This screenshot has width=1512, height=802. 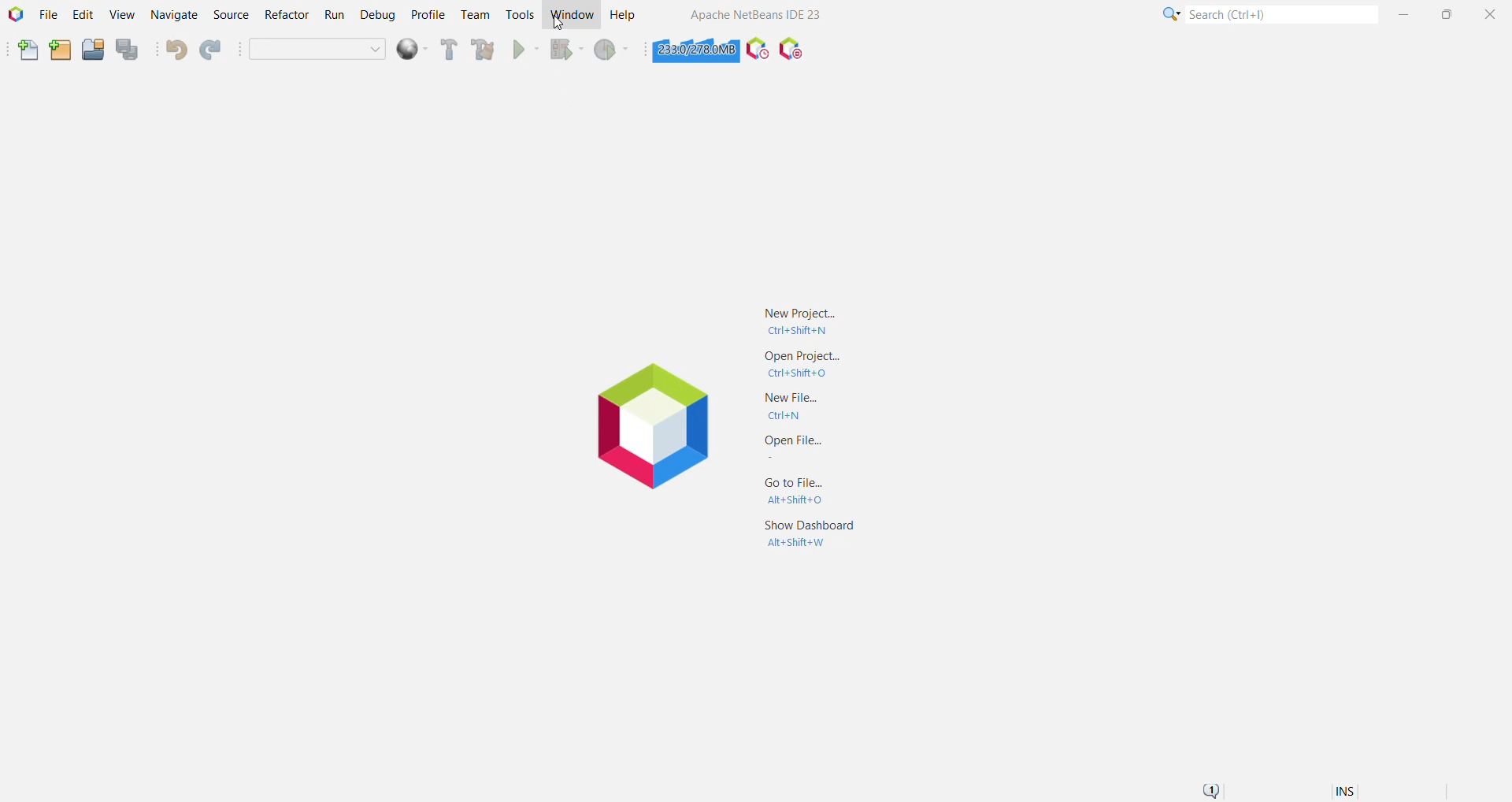 What do you see at coordinates (526, 50) in the screenshot?
I see `Run Project` at bounding box center [526, 50].